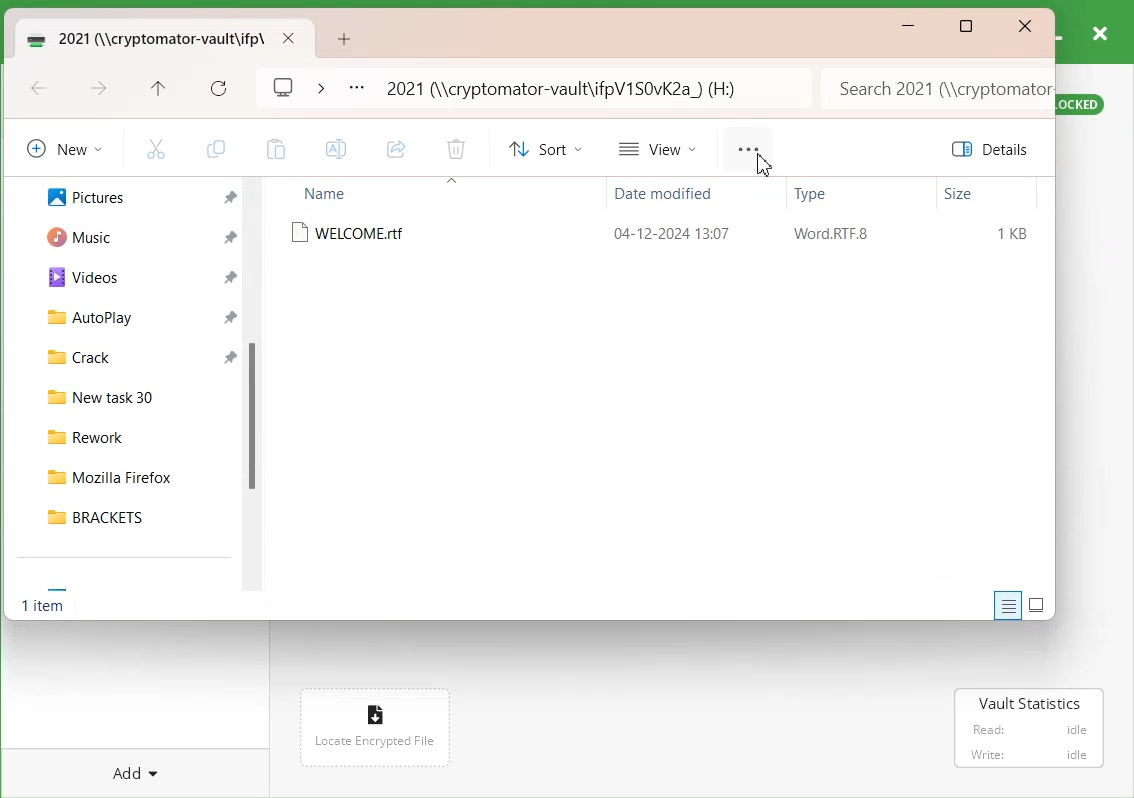 This screenshot has height=798, width=1134. What do you see at coordinates (230, 278) in the screenshot?
I see `Pin a file` at bounding box center [230, 278].